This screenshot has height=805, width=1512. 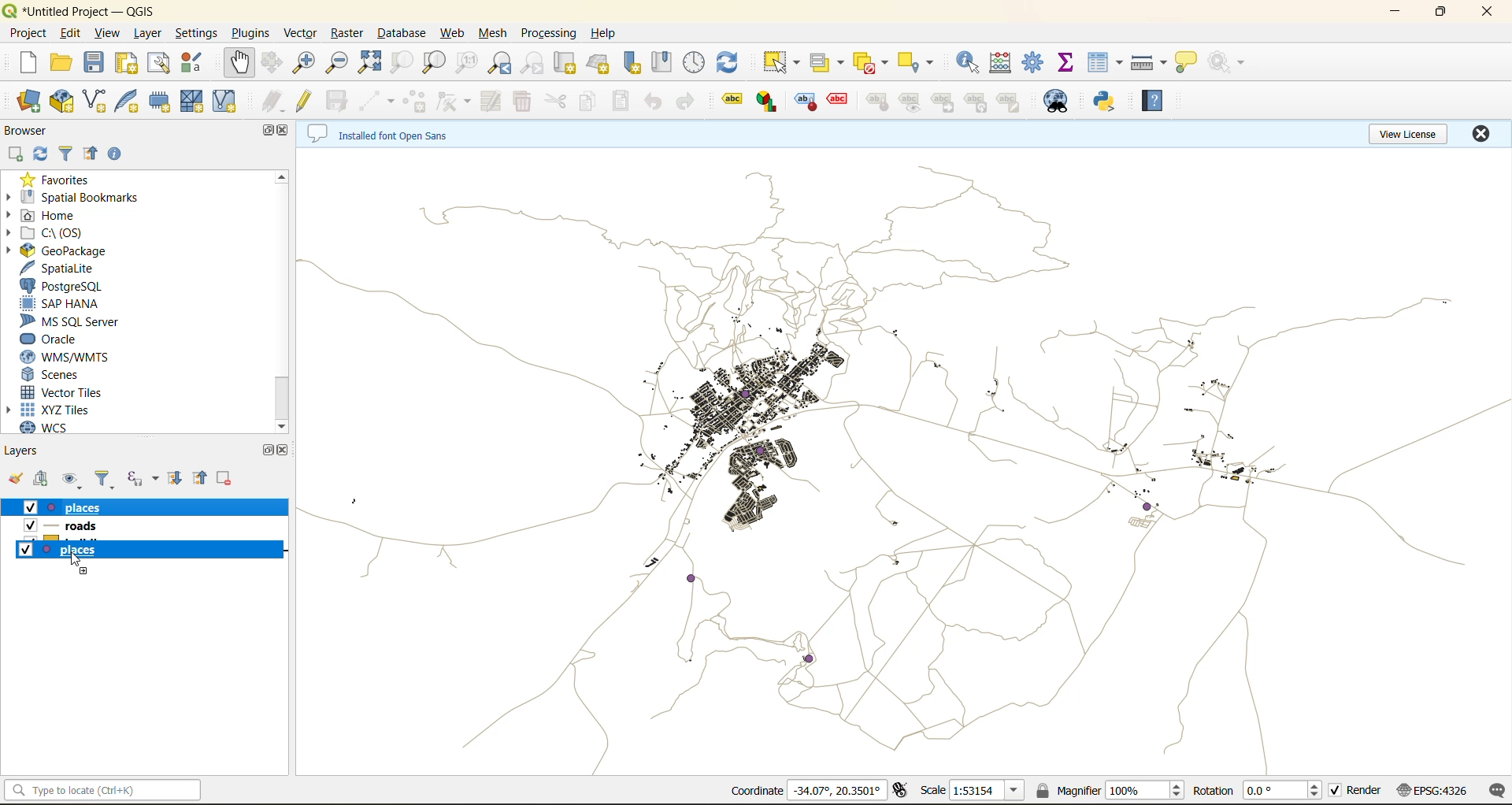 I want to click on attributes table, so click(x=1106, y=67).